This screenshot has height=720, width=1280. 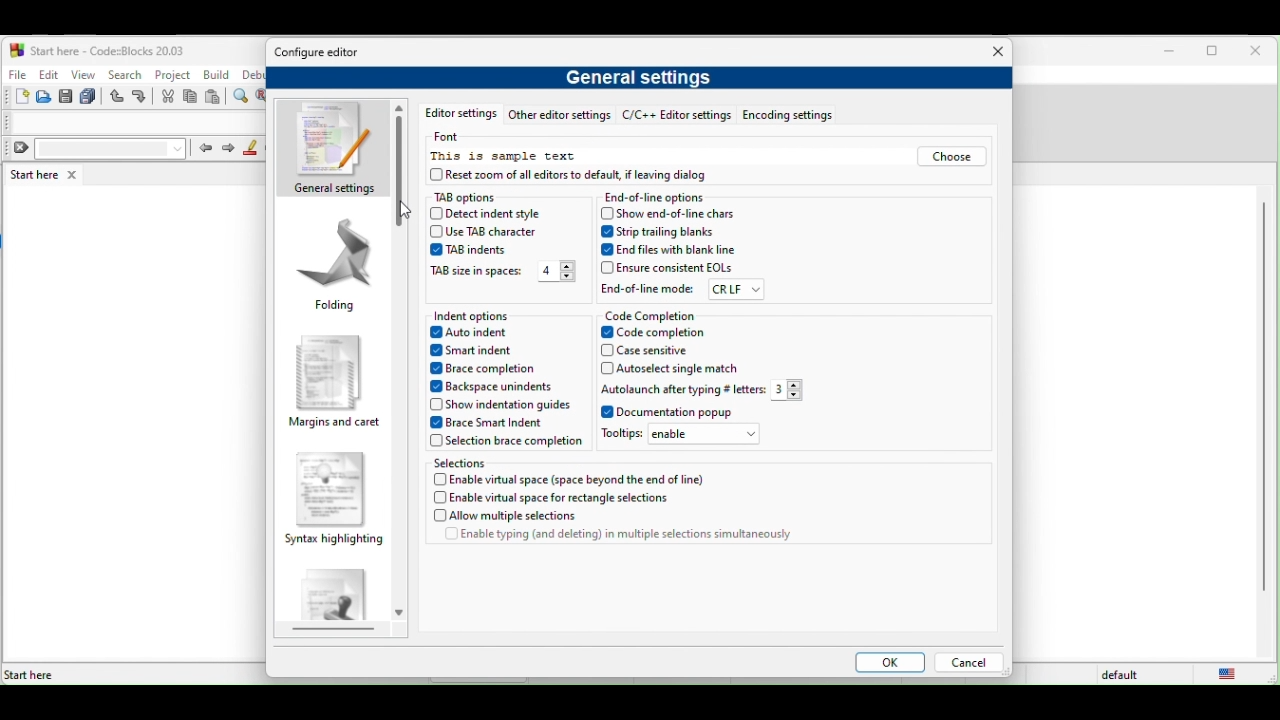 I want to click on next , so click(x=228, y=149).